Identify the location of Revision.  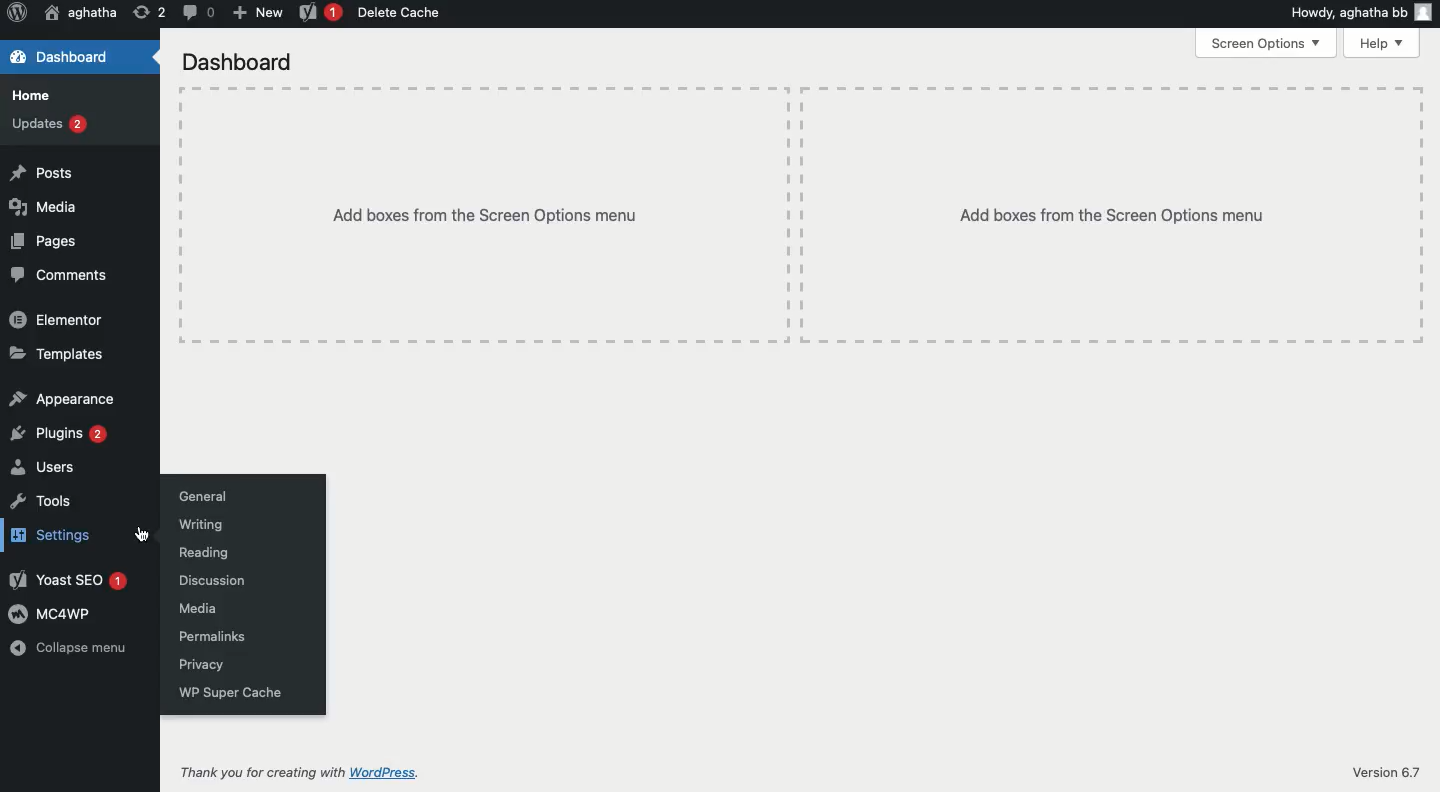
(145, 14).